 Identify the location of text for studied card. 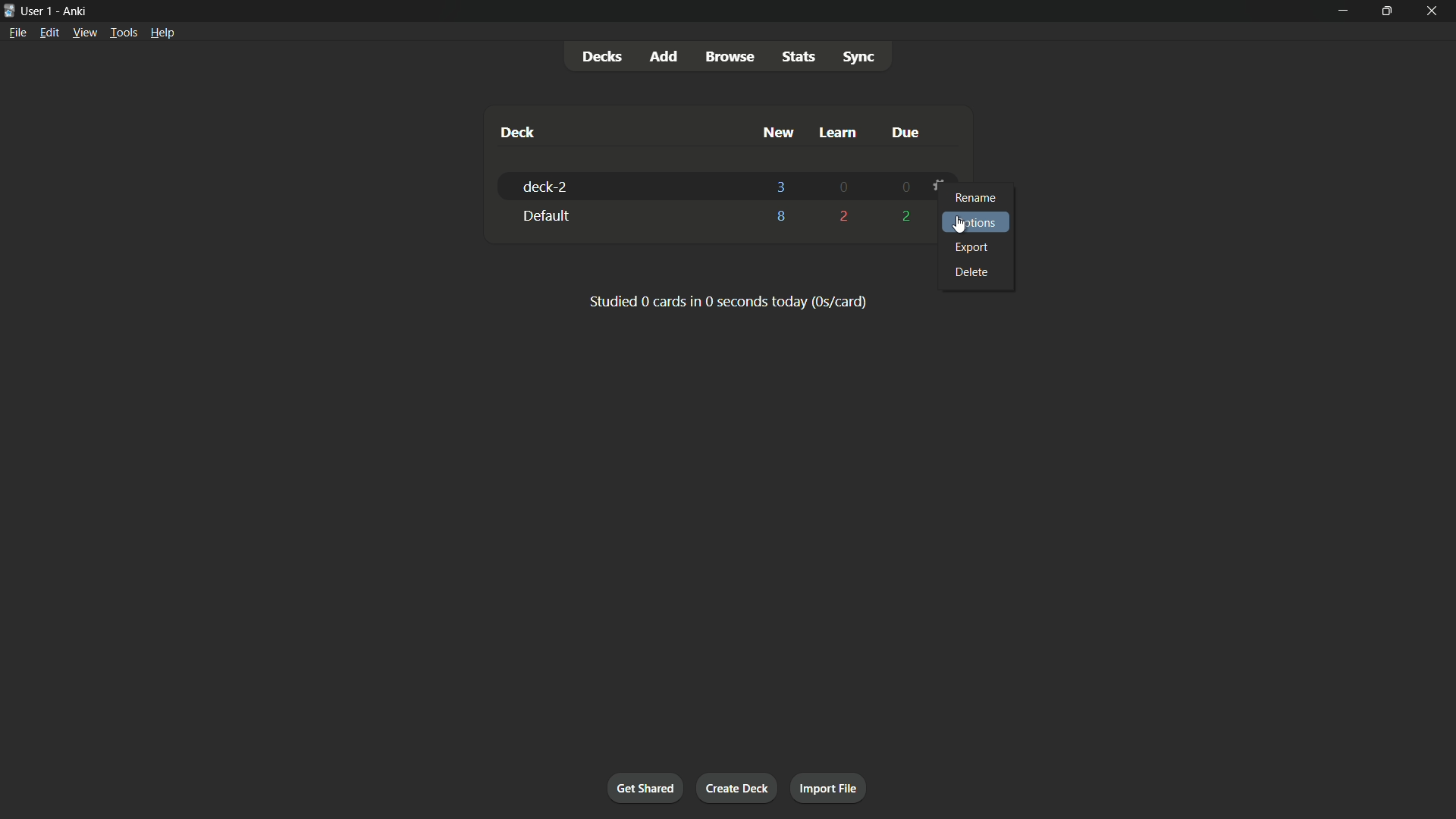
(726, 300).